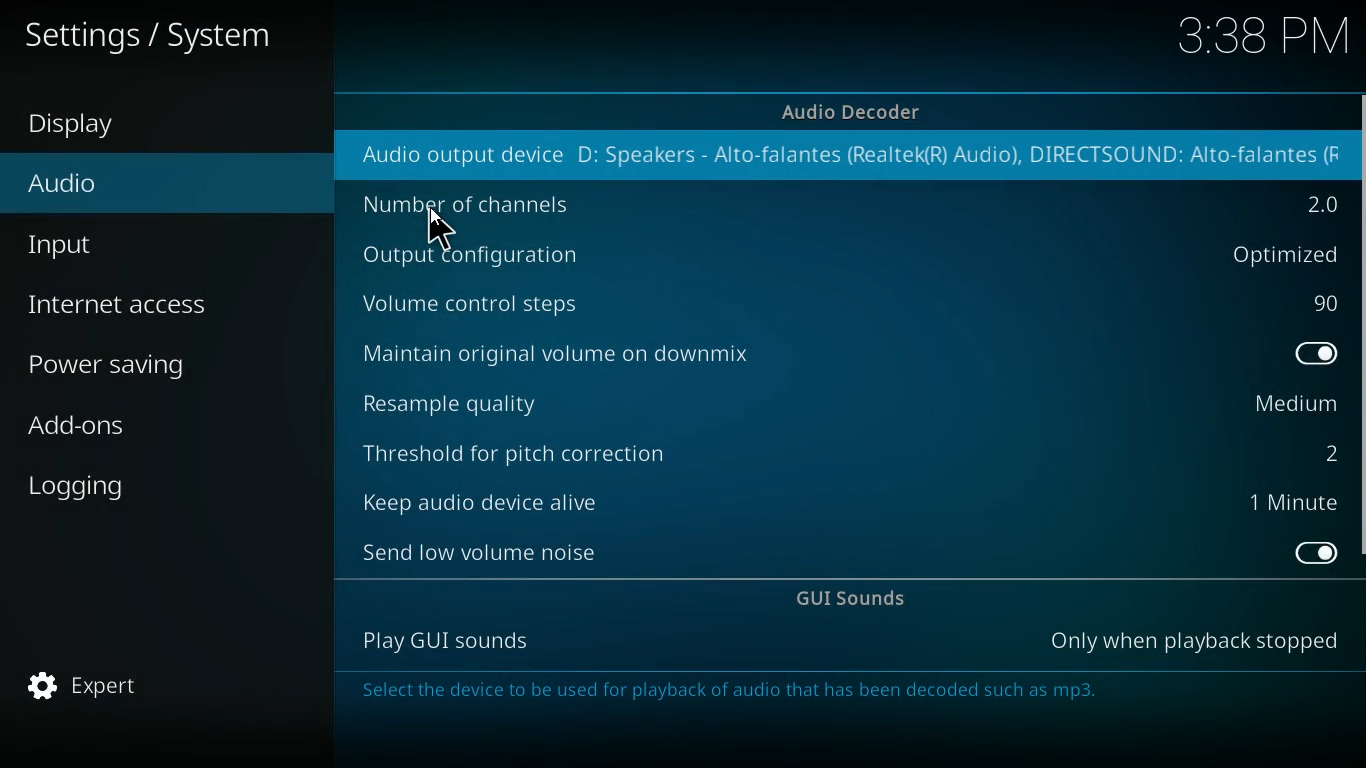  I want to click on volume control steps, so click(494, 302).